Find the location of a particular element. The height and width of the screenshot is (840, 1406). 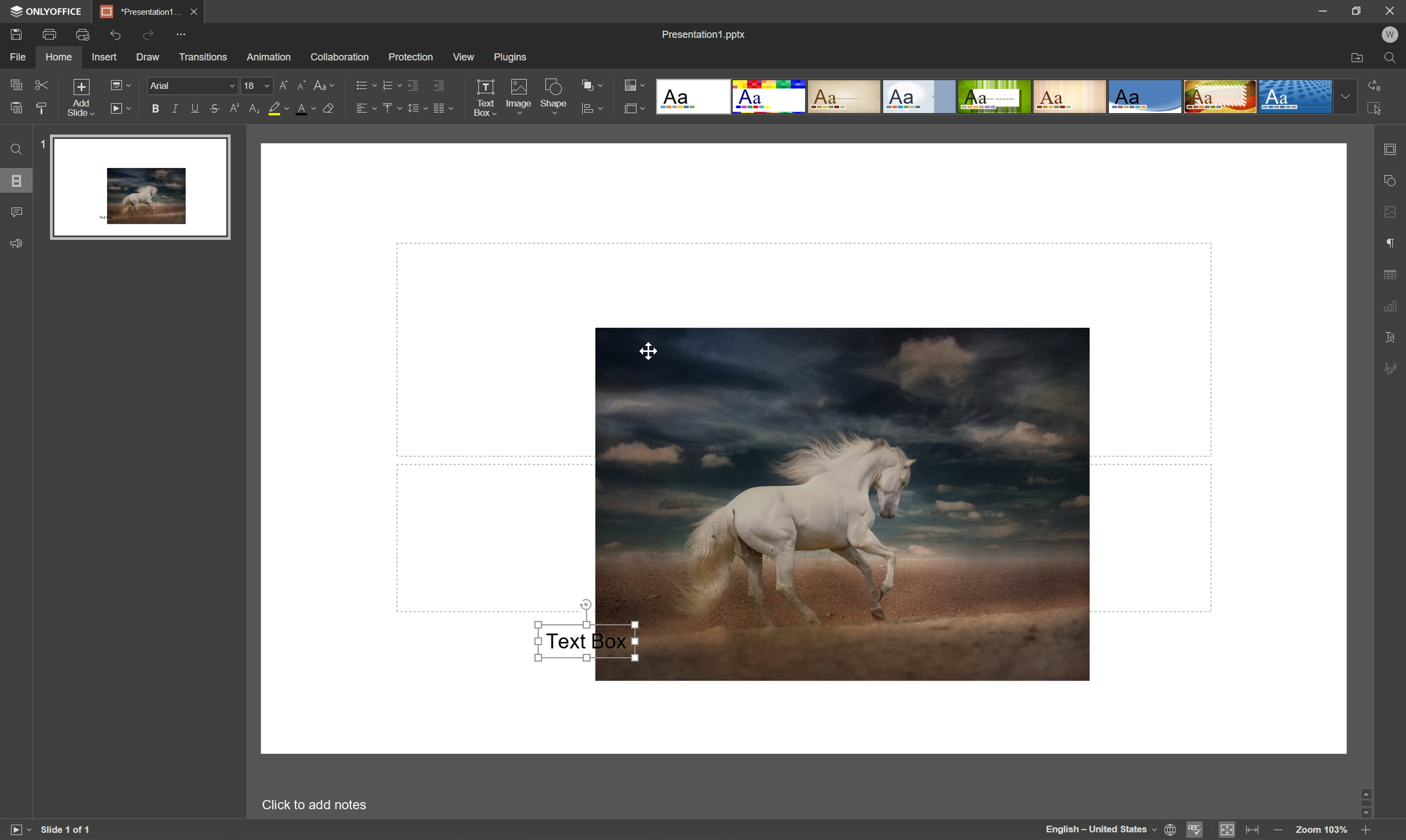

Green Leaf is located at coordinates (994, 97).